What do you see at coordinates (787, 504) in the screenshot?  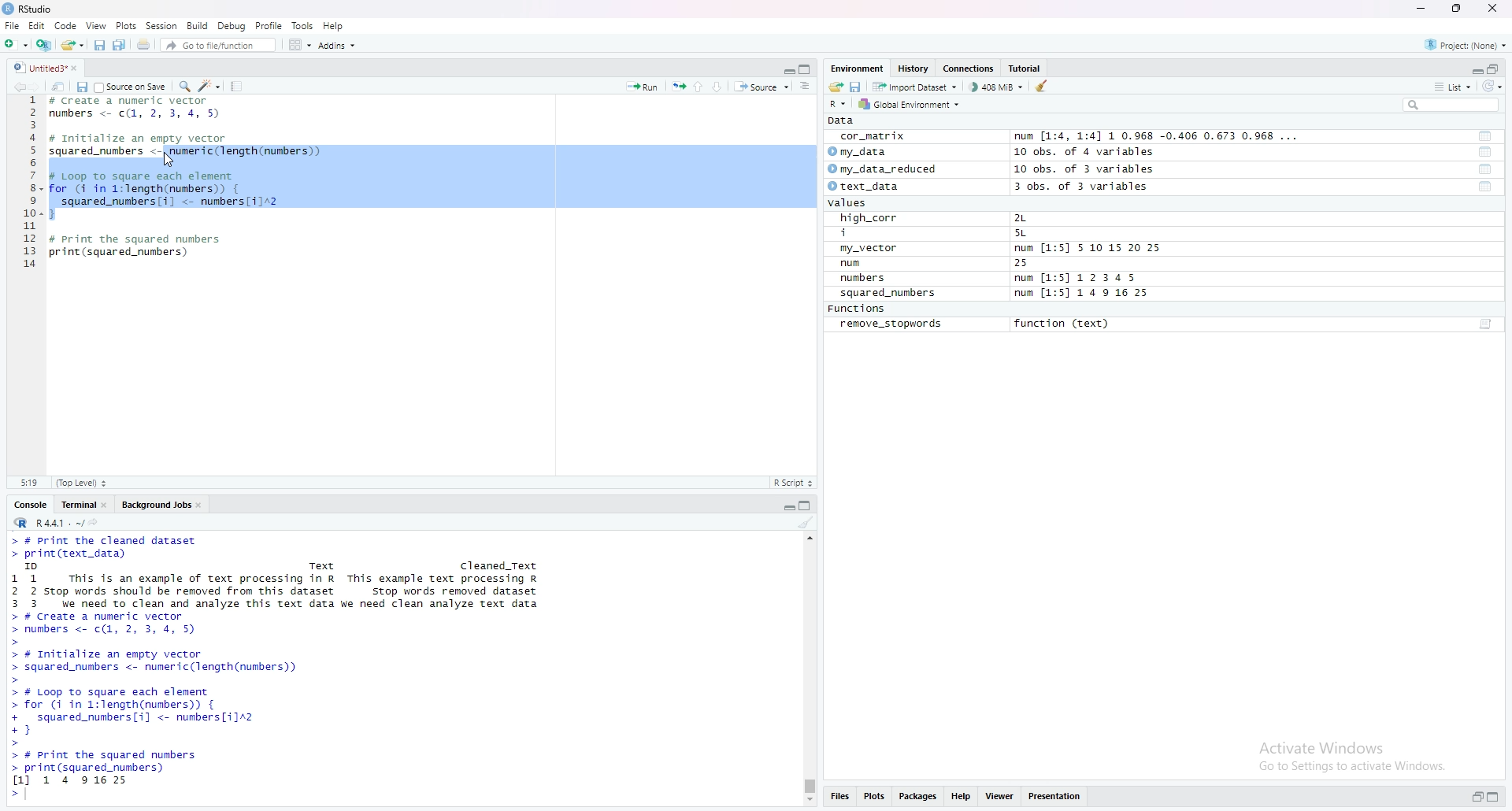 I see `minimize` at bounding box center [787, 504].